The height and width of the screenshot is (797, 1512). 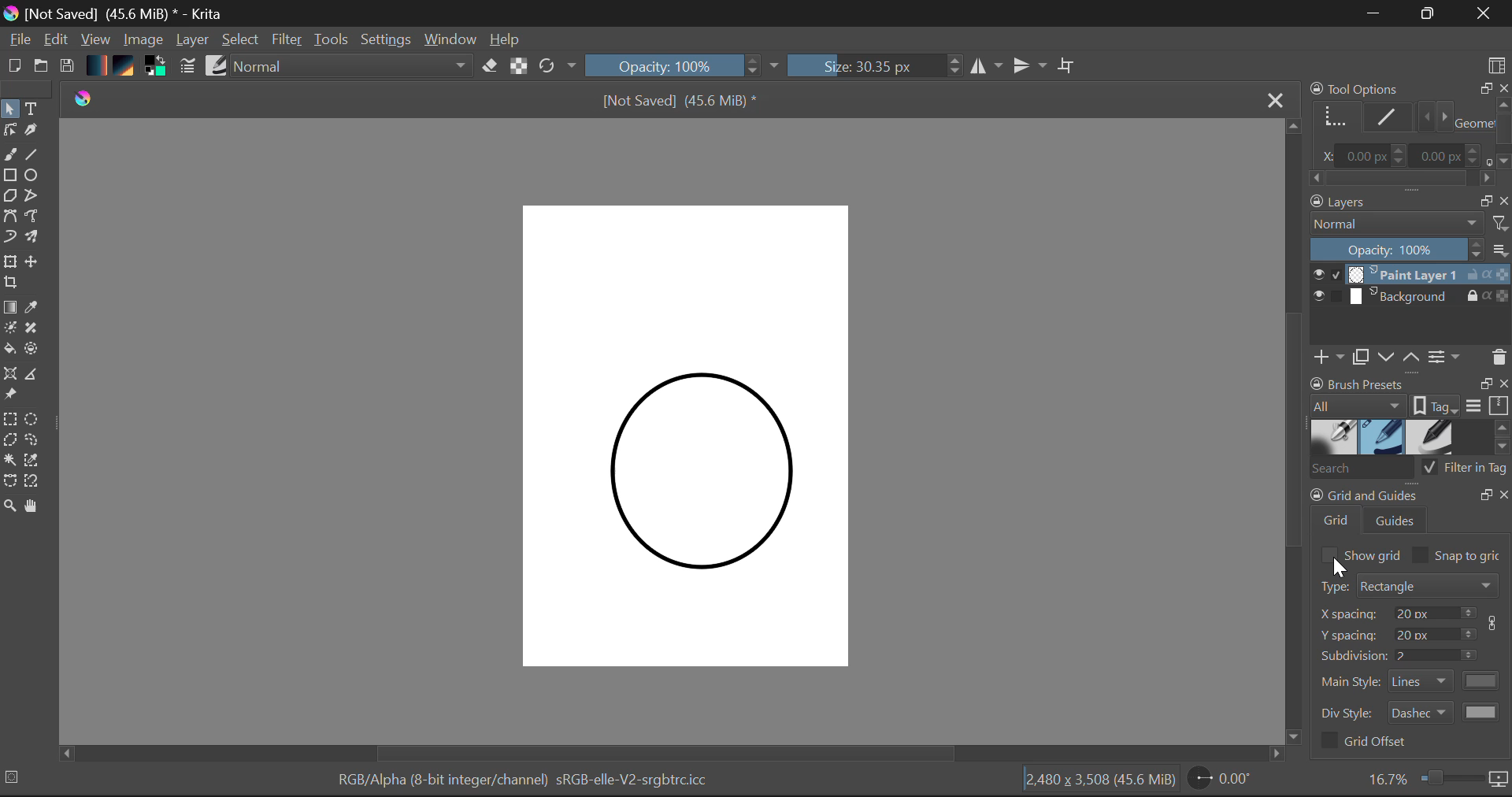 What do you see at coordinates (1429, 13) in the screenshot?
I see `Minimize` at bounding box center [1429, 13].